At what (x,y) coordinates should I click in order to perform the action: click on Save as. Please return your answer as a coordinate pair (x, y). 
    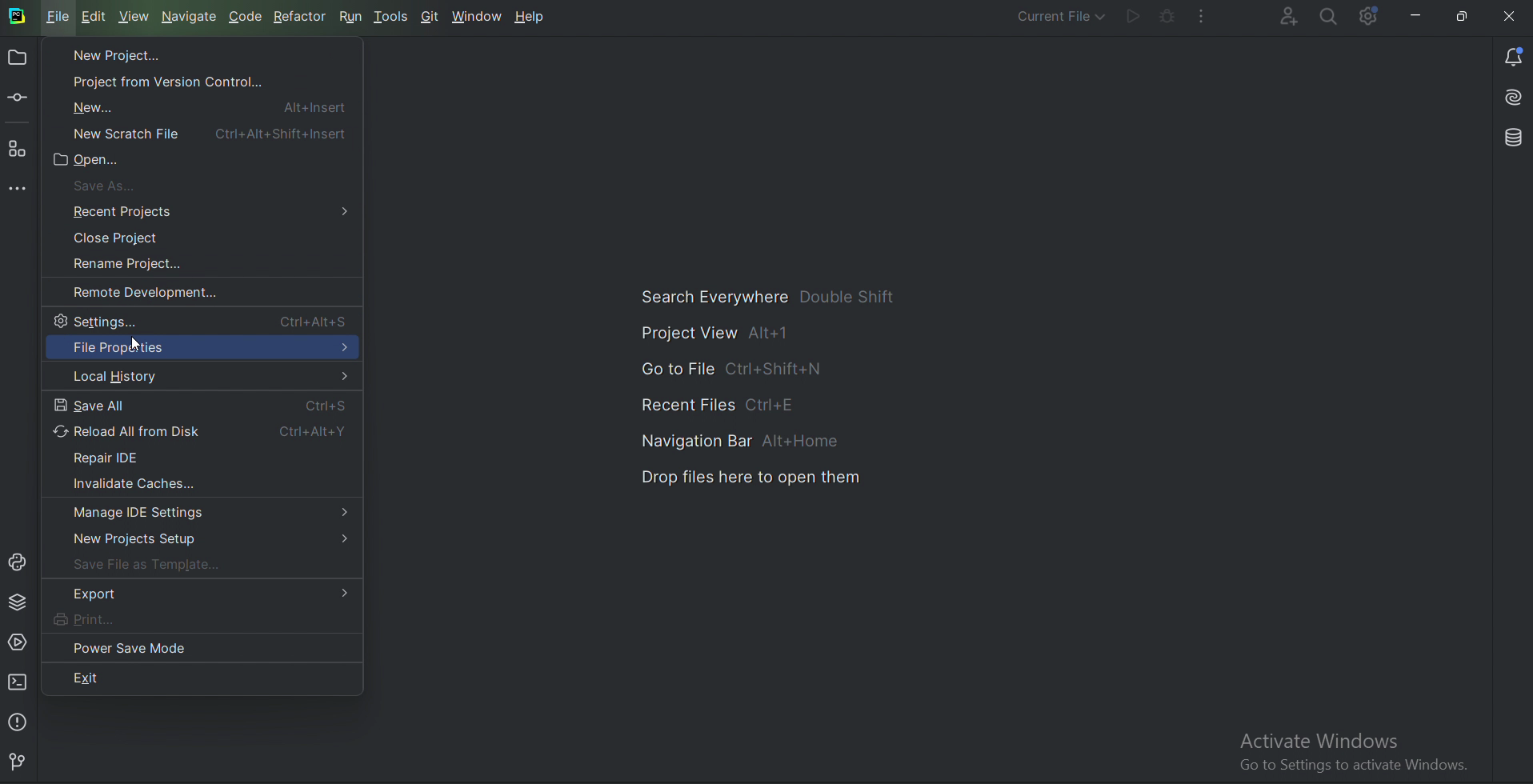
    Looking at the image, I should click on (120, 184).